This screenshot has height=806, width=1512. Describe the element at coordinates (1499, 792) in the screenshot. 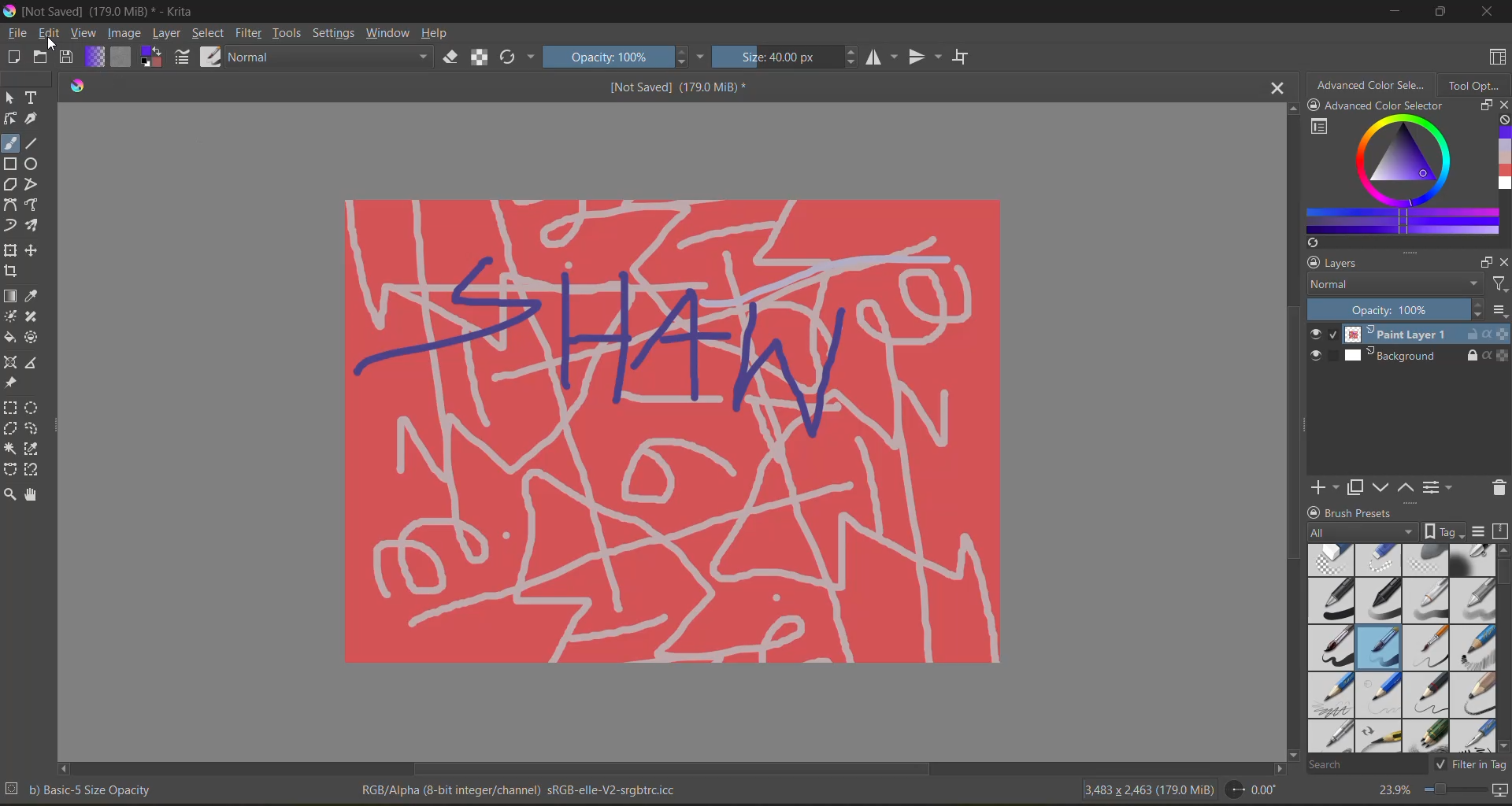

I see `map canvas` at that location.